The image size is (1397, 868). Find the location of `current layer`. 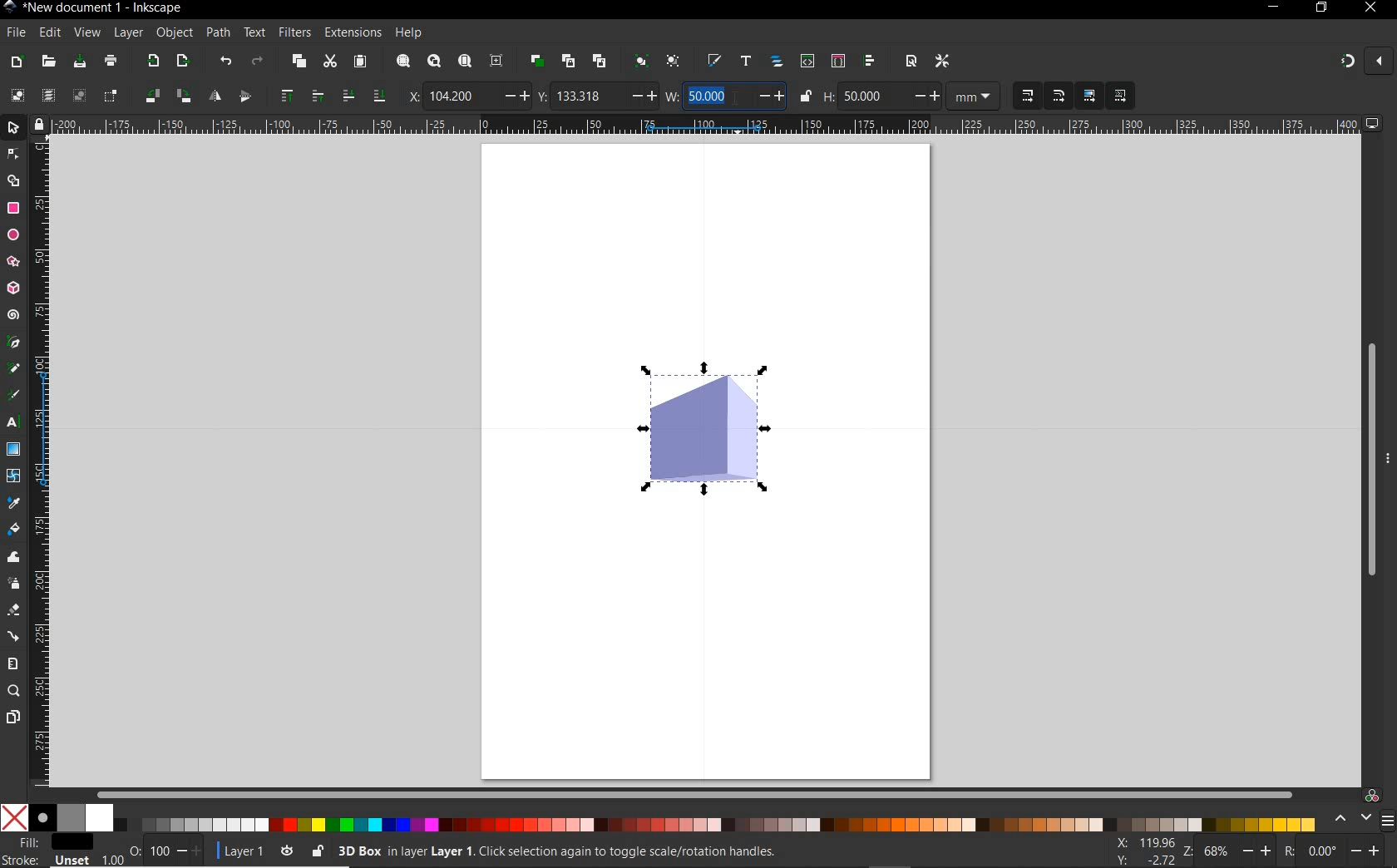

current layer is located at coordinates (244, 851).